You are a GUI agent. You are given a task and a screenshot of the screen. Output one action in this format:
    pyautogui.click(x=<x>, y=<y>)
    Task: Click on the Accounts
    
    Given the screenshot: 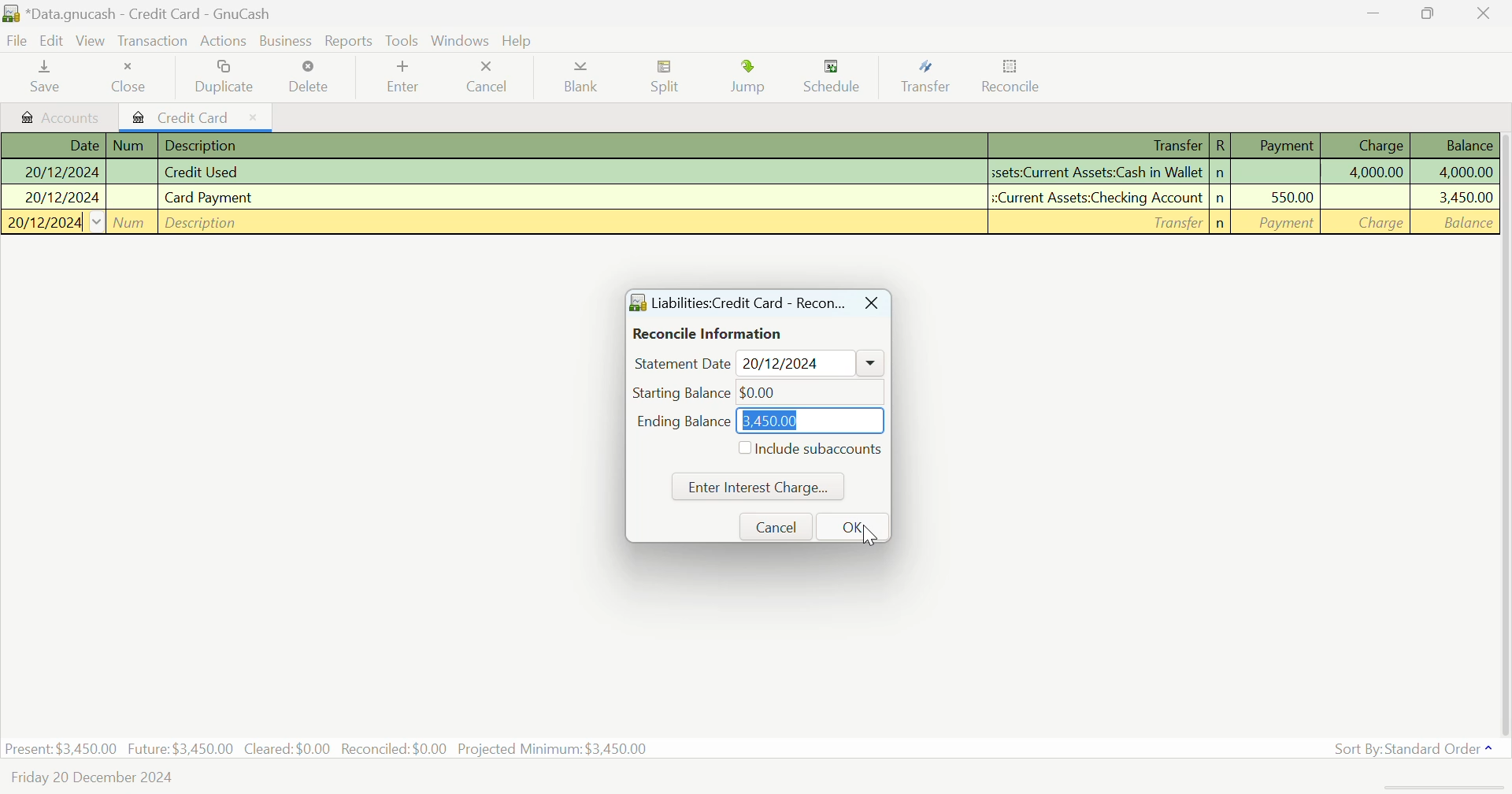 What is the action you would take?
    pyautogui.click(x=57, y=117)
    